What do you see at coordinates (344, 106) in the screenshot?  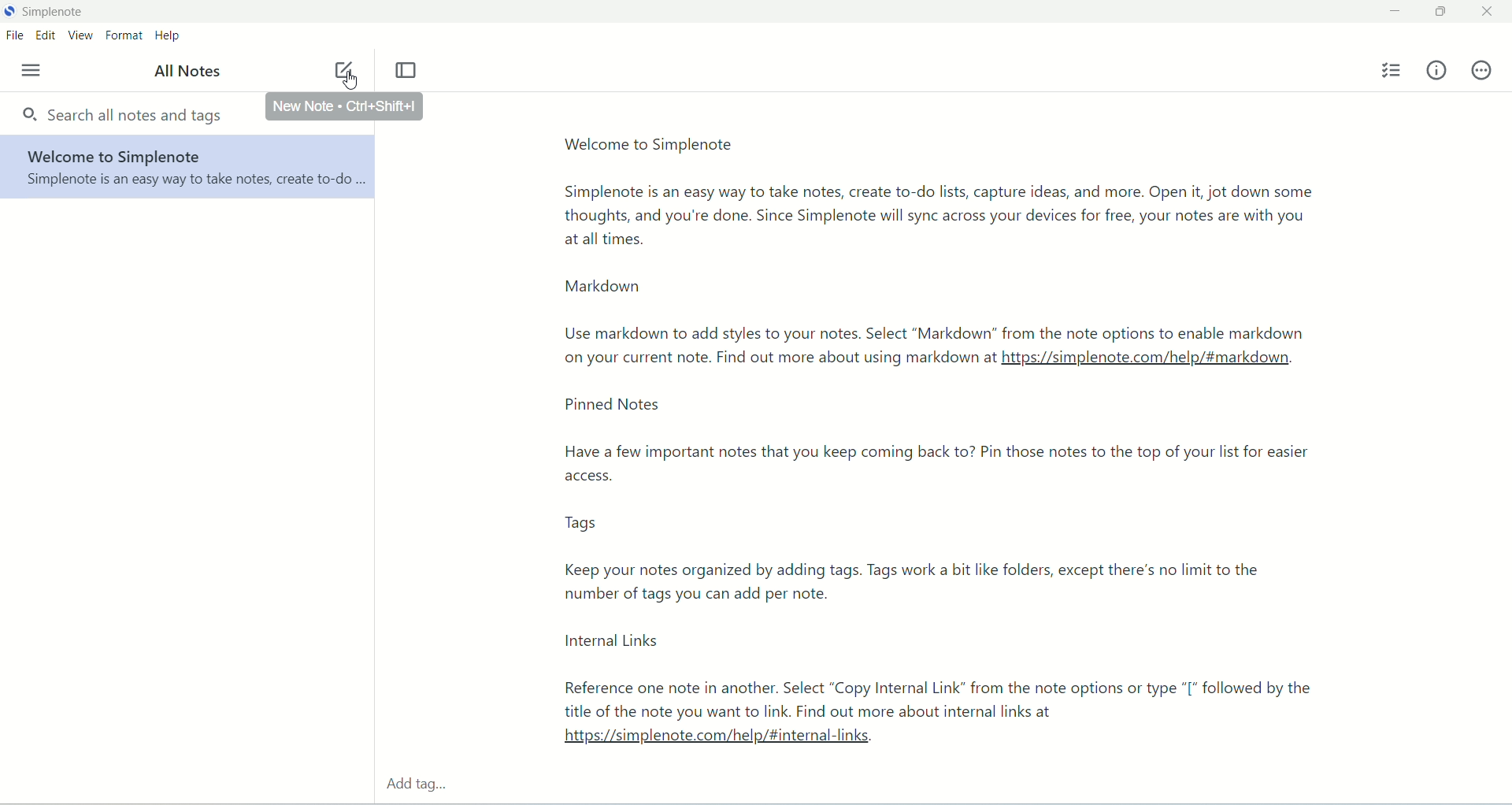 I see `new note` at bounding box center [344, 106].